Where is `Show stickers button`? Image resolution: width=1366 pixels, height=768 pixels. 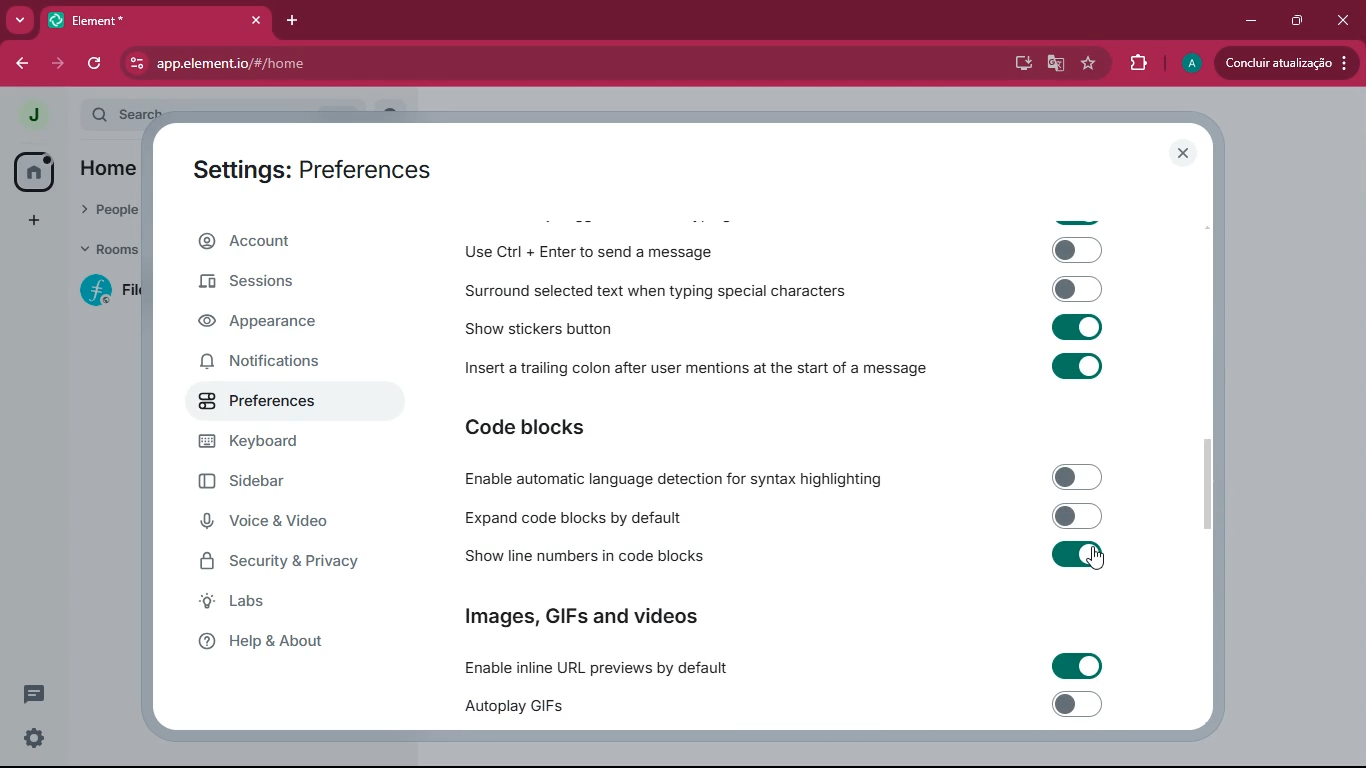 Show stickers button is located at coordinates (781, 327).